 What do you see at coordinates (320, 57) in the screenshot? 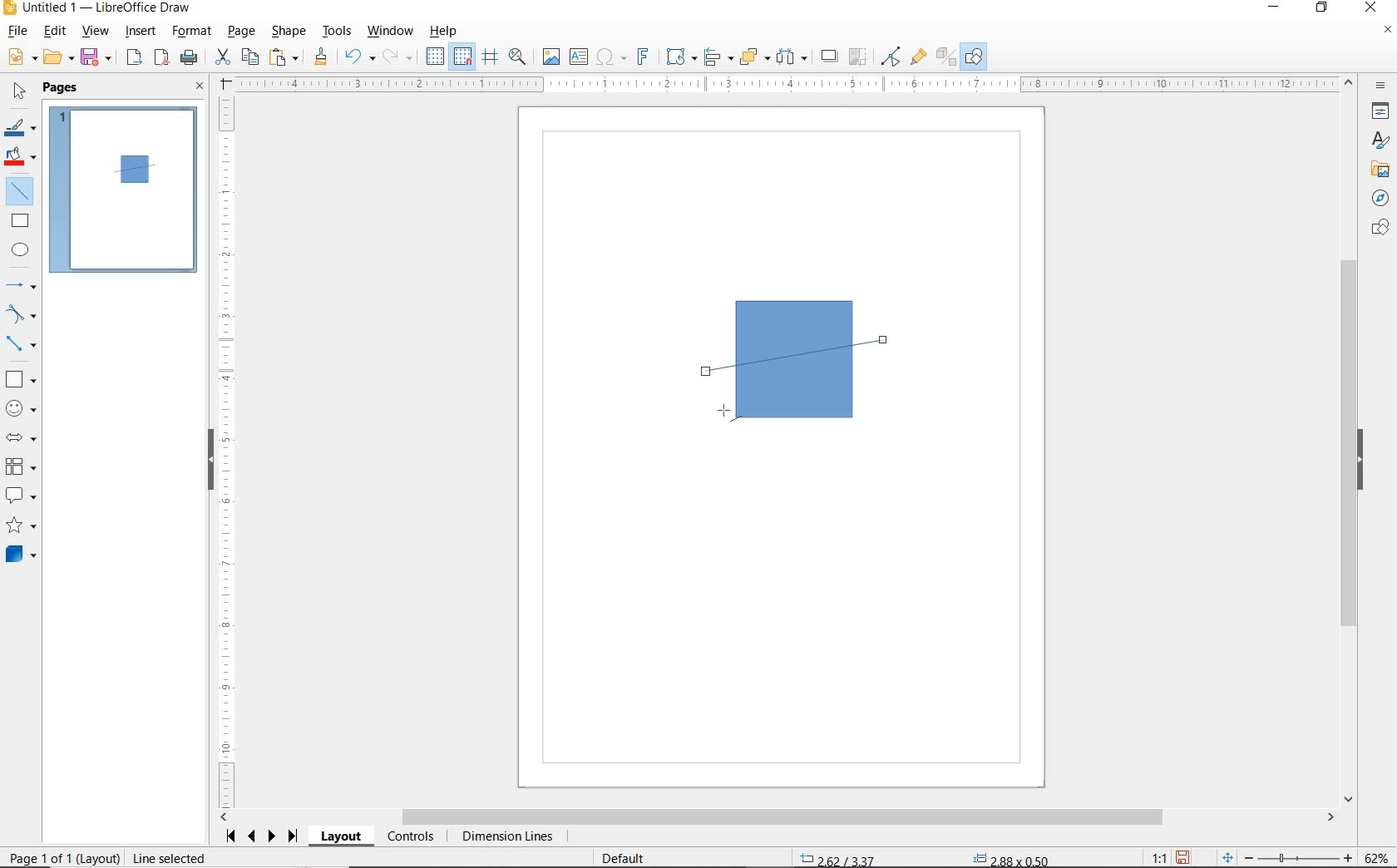
I see `CLONE FORMATTING` at bounding box center [320, 57].